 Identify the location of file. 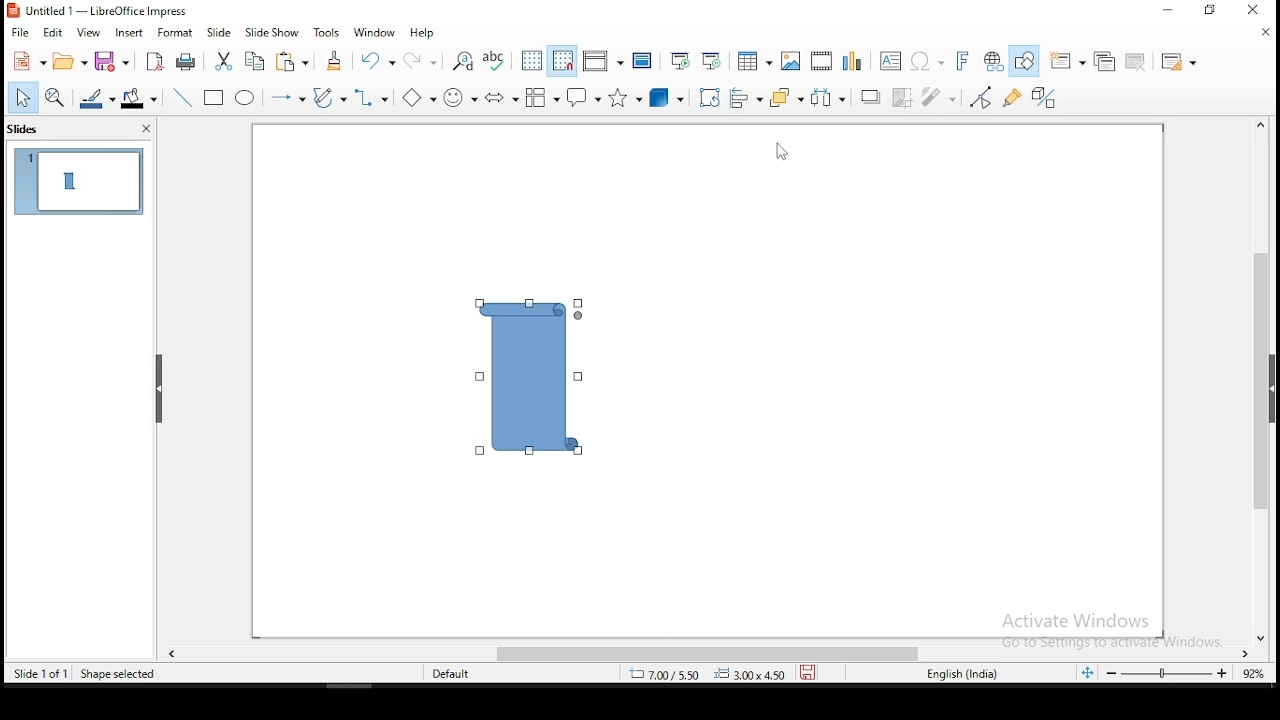
(19, 33).